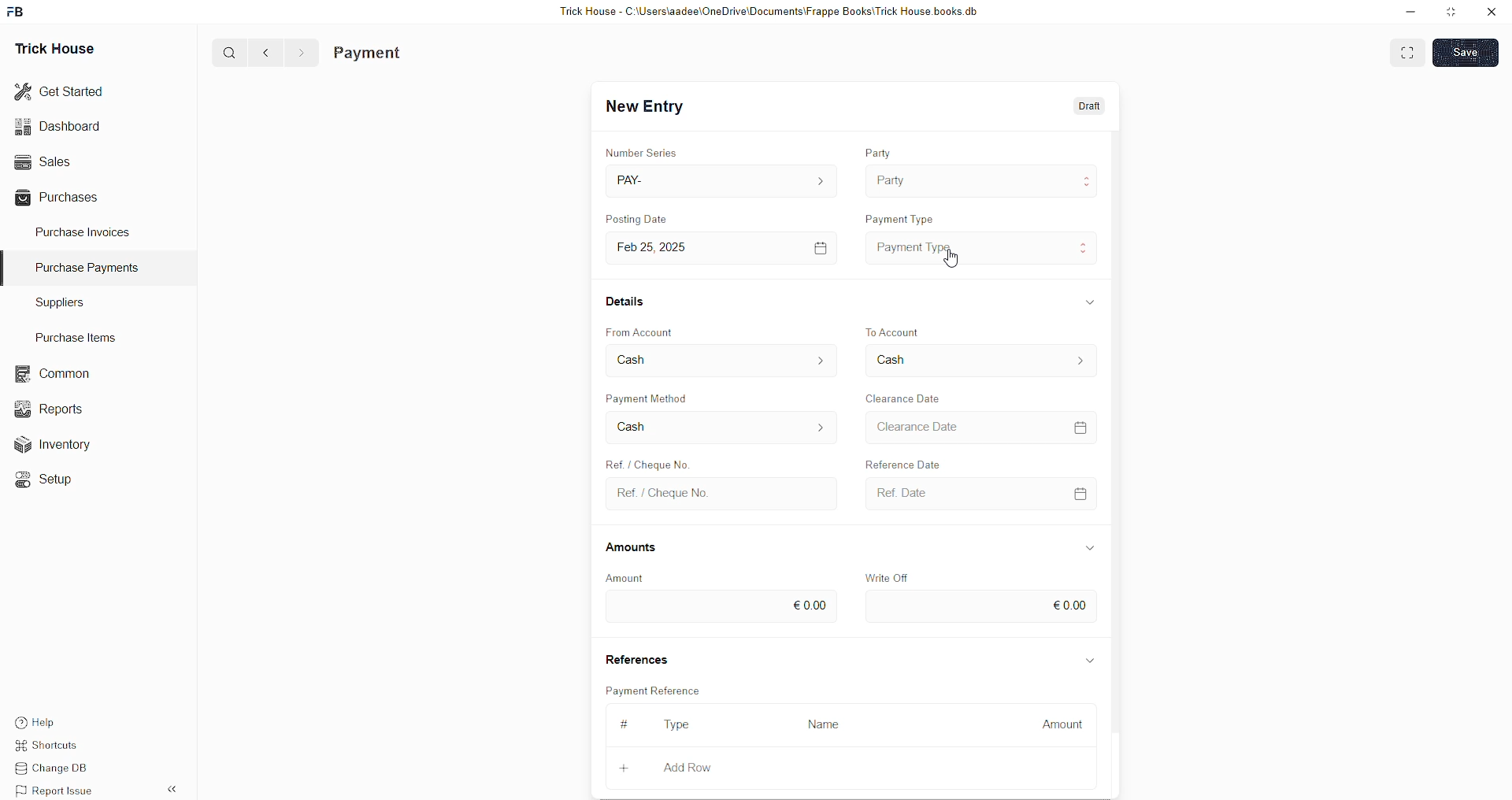 This screenshot has height=800, width=1512. I want to click on close, so click(1492, 12).